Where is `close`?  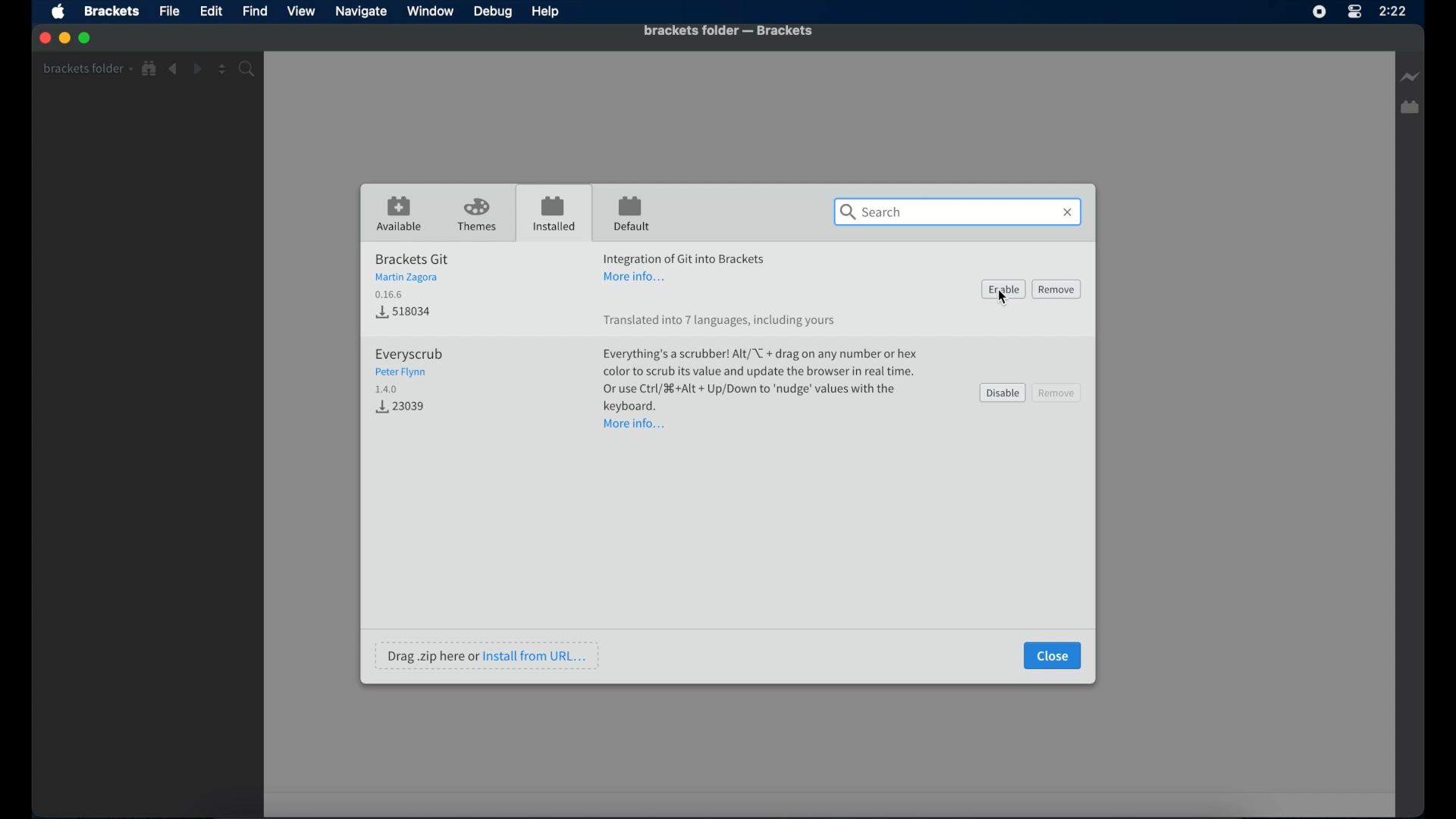 close is located at coordinates (1053, 656).